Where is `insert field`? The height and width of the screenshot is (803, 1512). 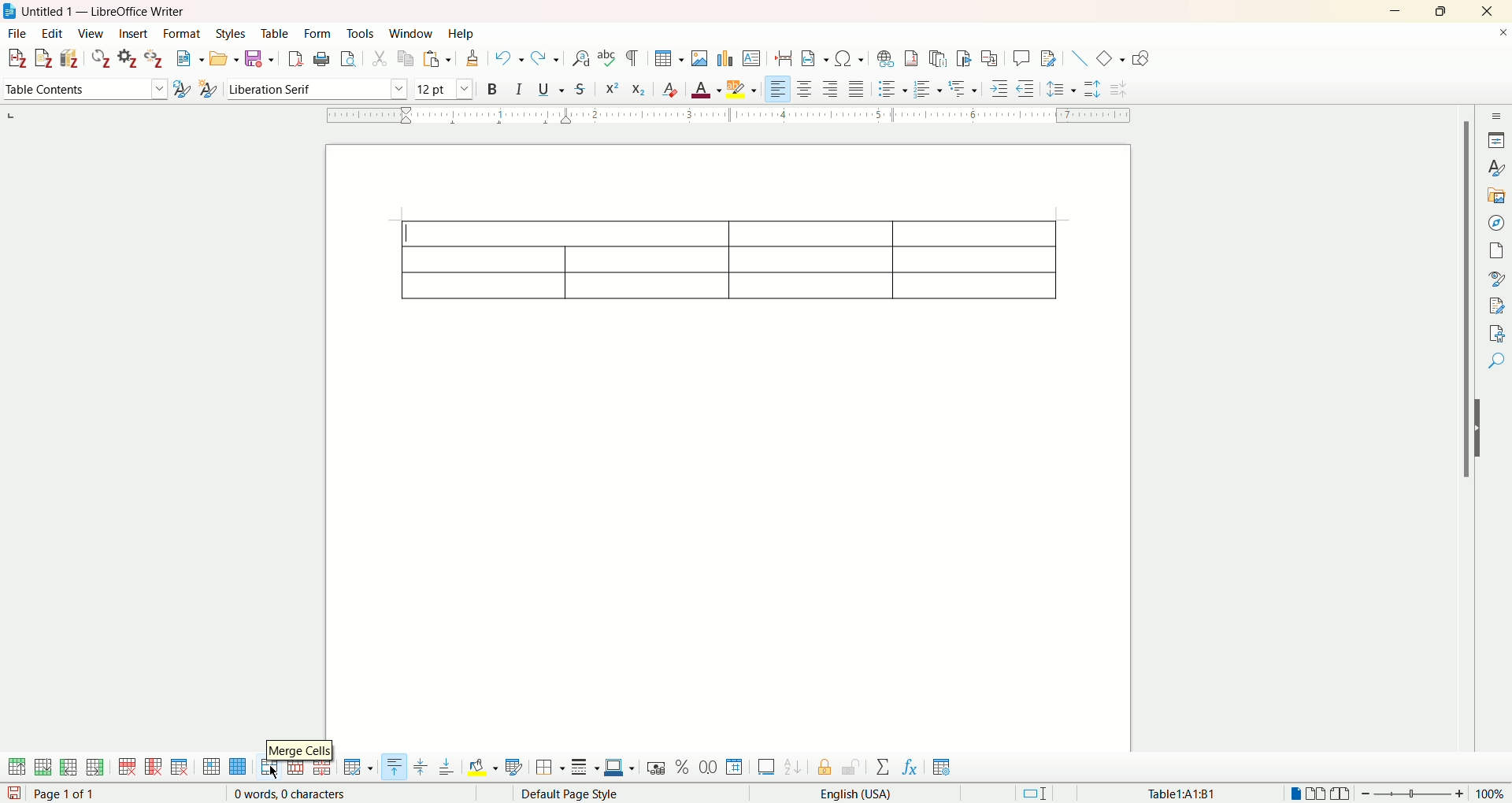
insert field is located at coordinates (814, 58).